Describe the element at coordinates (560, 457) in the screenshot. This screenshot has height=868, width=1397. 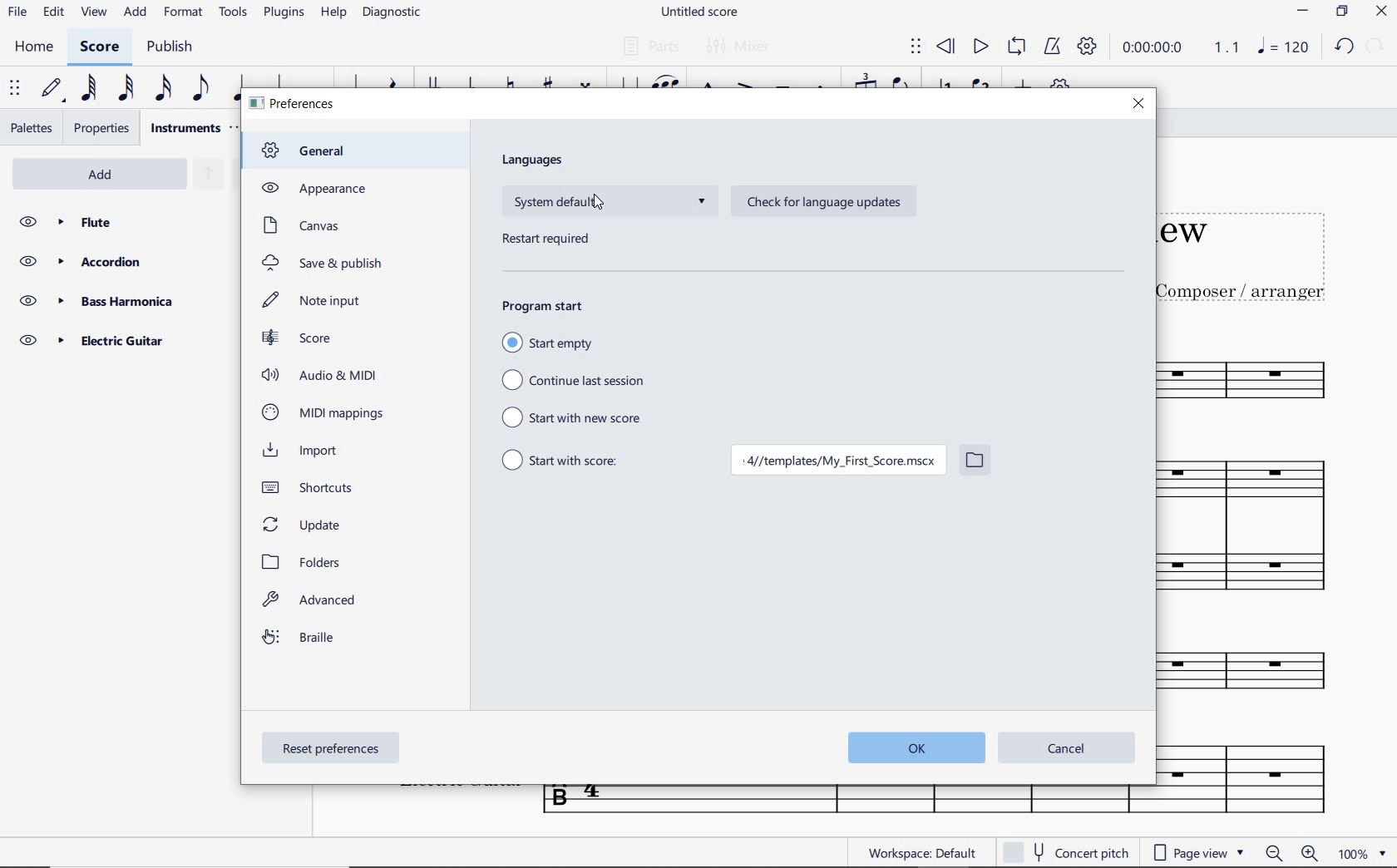
I see `start with score` at that location.